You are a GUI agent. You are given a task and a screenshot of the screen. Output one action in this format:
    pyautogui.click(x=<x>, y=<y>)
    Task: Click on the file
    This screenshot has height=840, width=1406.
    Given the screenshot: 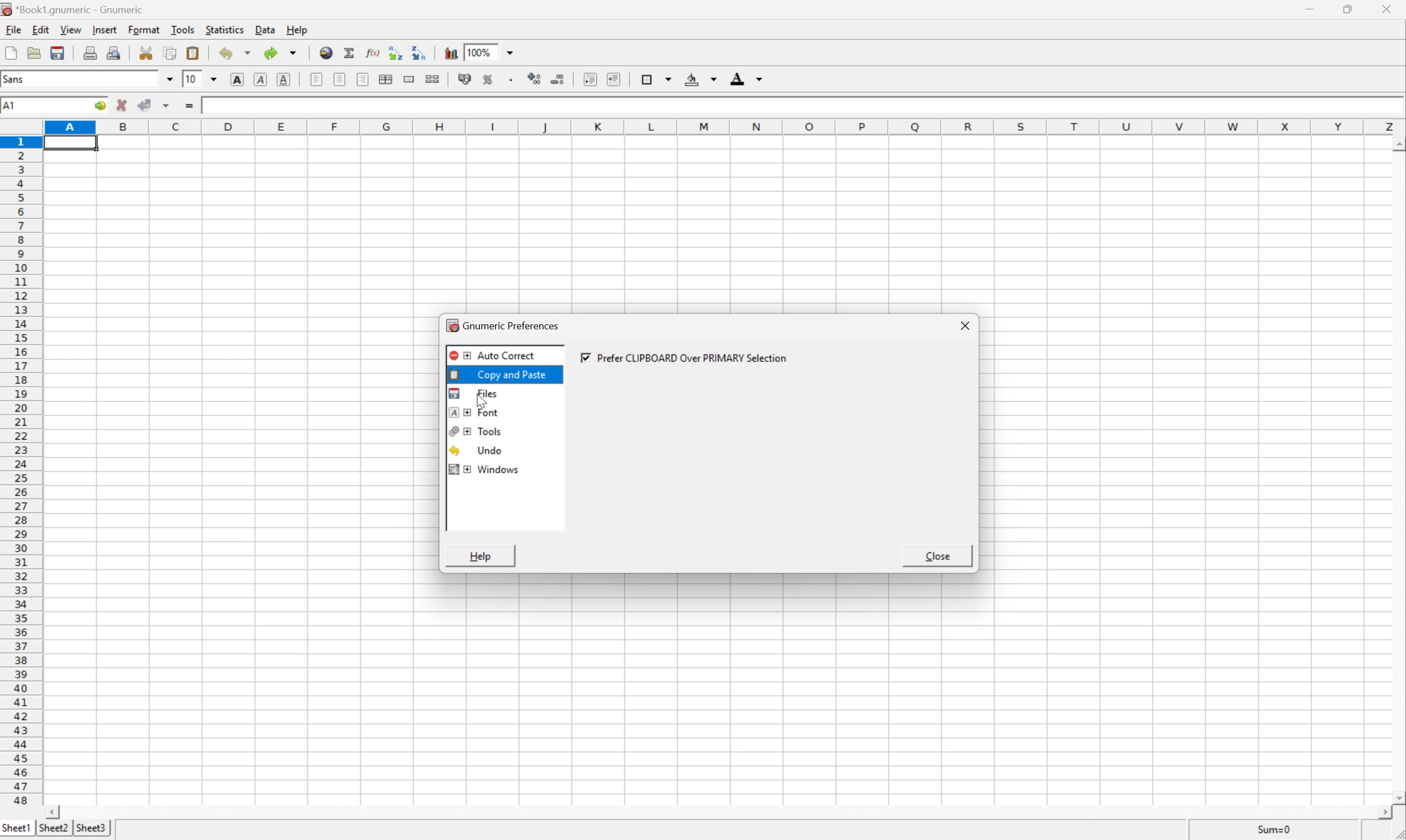 What is the action you would take?
    pyautogui.click(x=12, y=29)
    